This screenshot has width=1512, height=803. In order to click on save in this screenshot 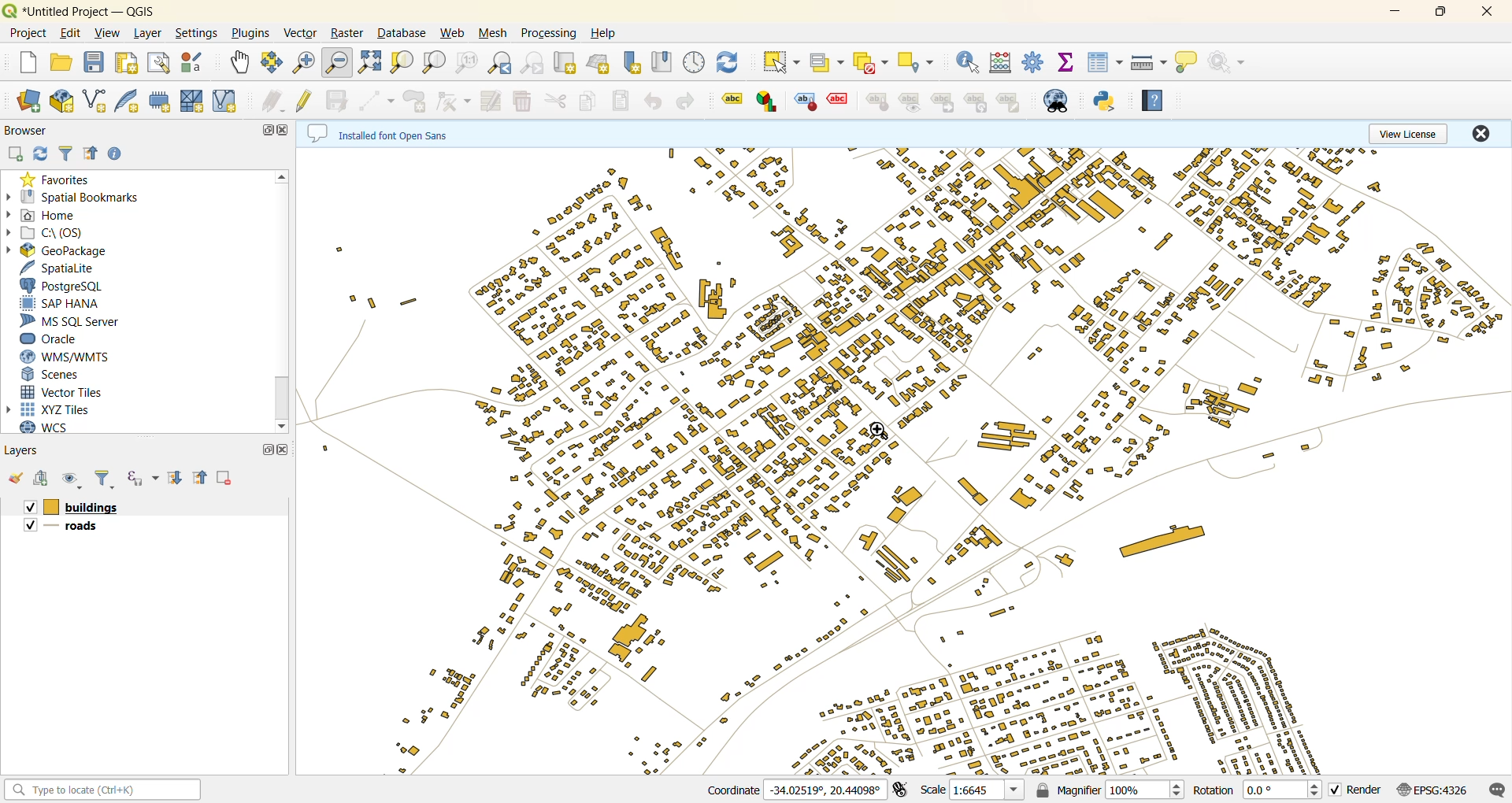, I will do `click(98, 62)`.